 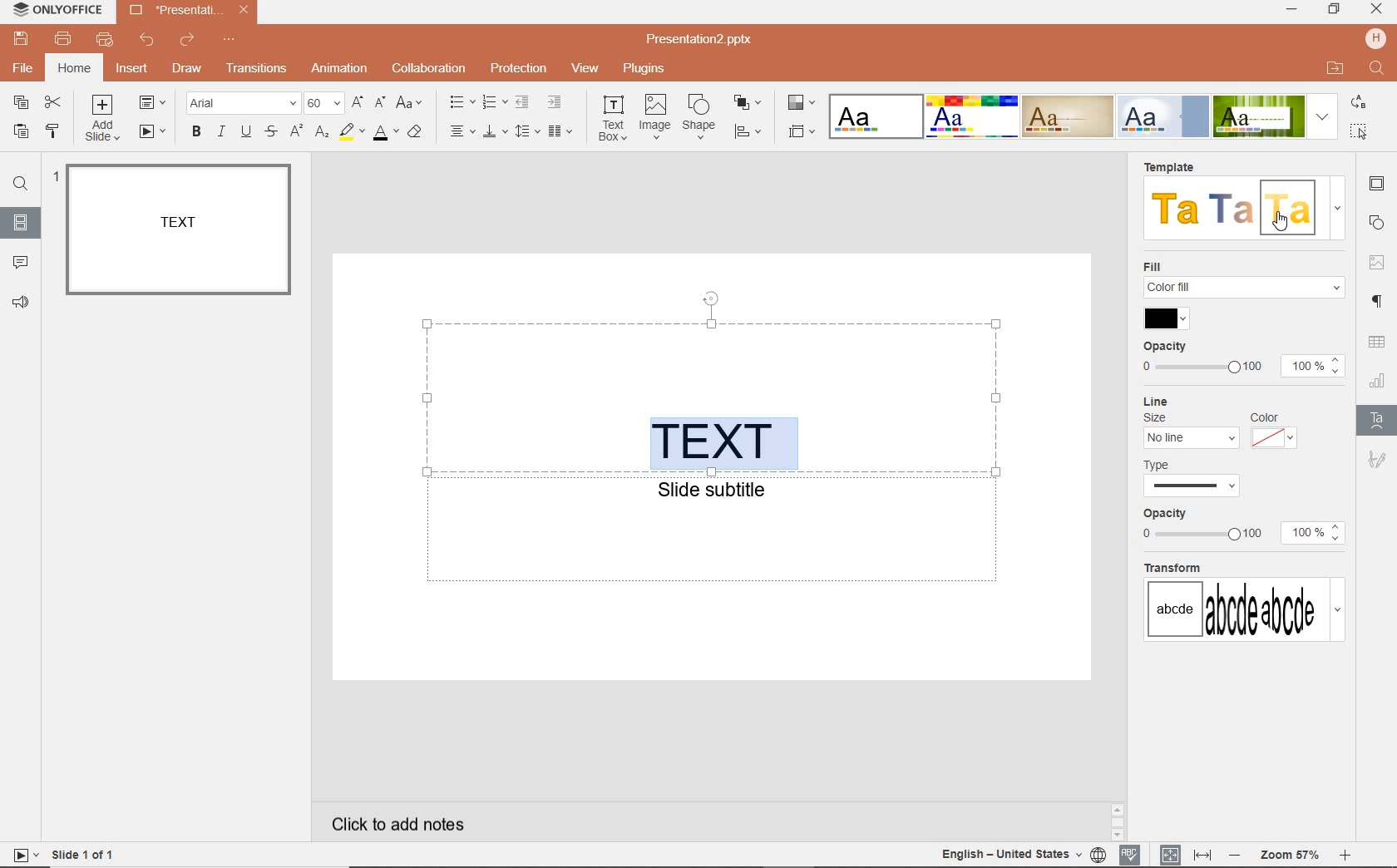 What do you see at coordinates (701, 117) in the screenshot?
I see `shape` at bounding box center [701, 117].